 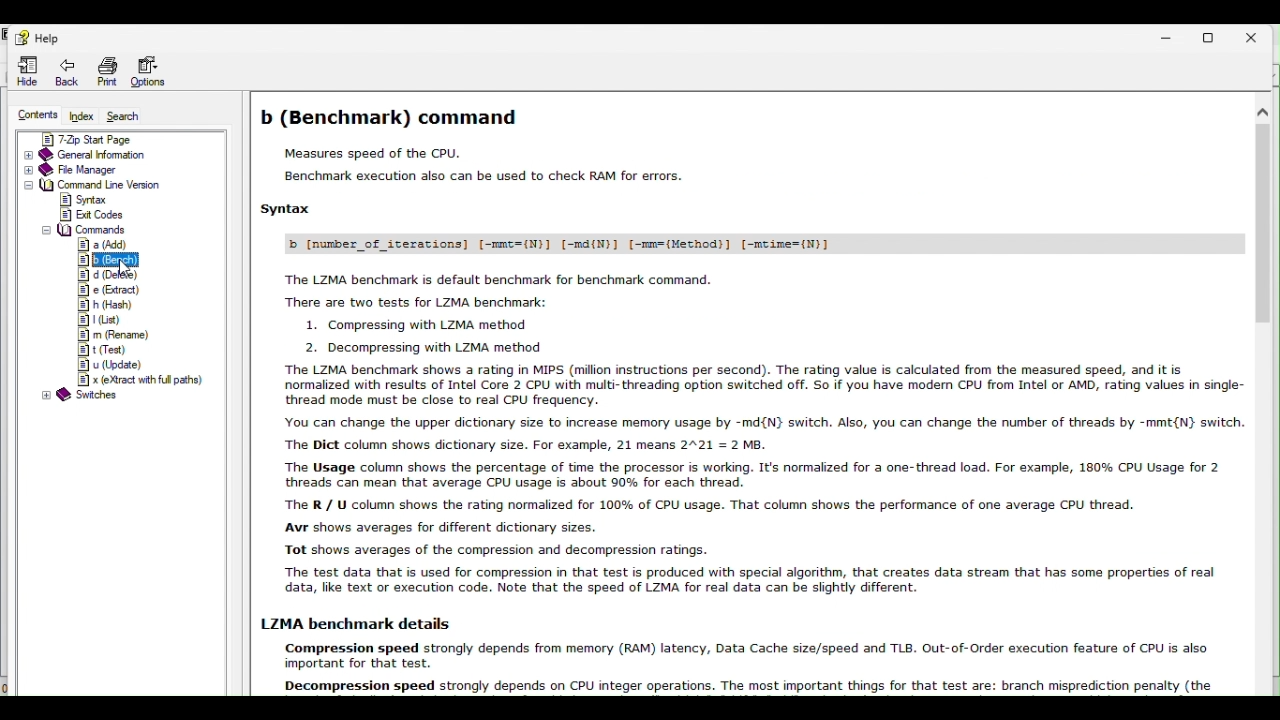 What do you see at coordinates (89, 199) in the screenshot?
I see `syntax` at bounding box center [89, 199].